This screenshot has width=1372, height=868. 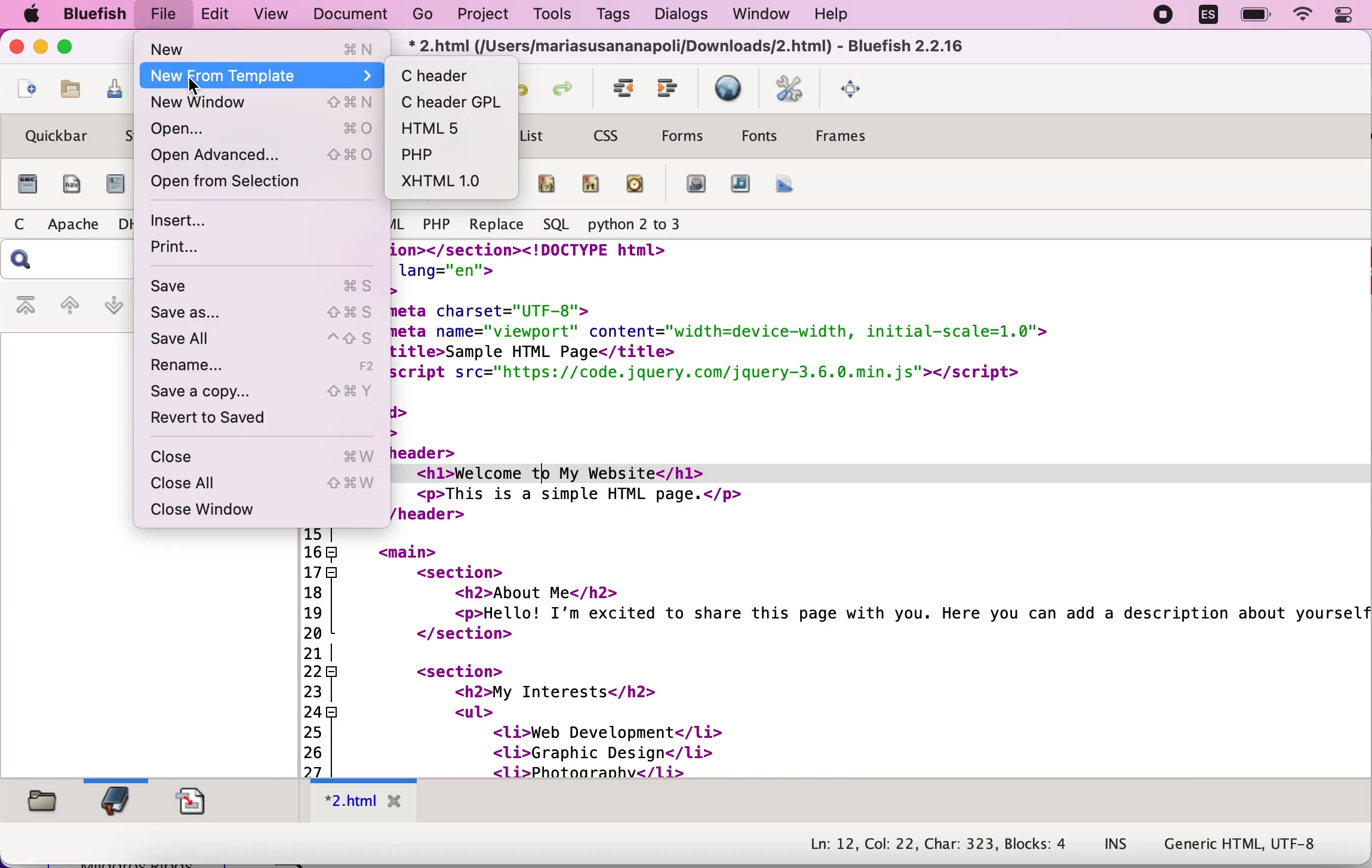 I want to click on panel control, so click(x=1348, y=17).